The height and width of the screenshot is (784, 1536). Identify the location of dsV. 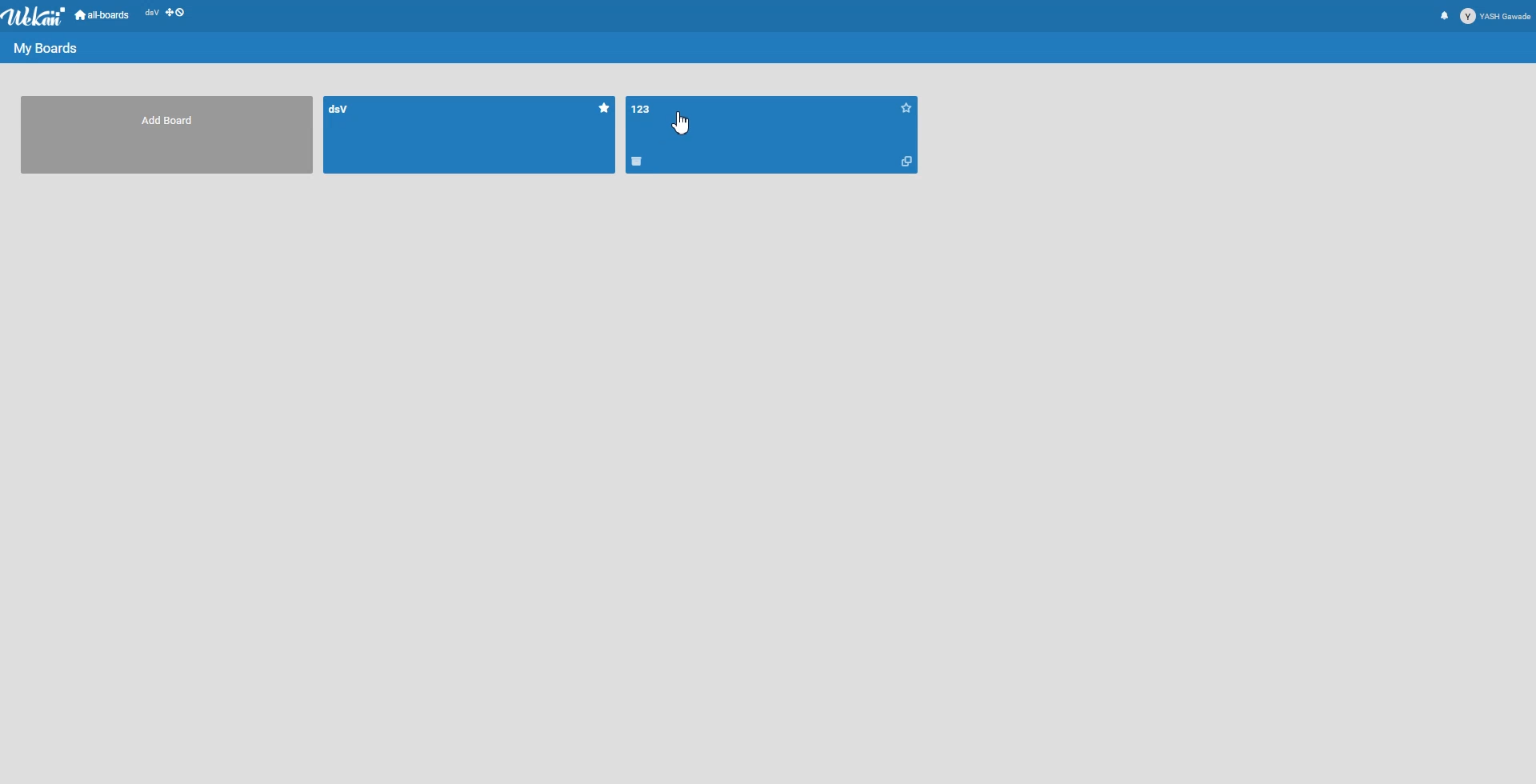
(358, 110).